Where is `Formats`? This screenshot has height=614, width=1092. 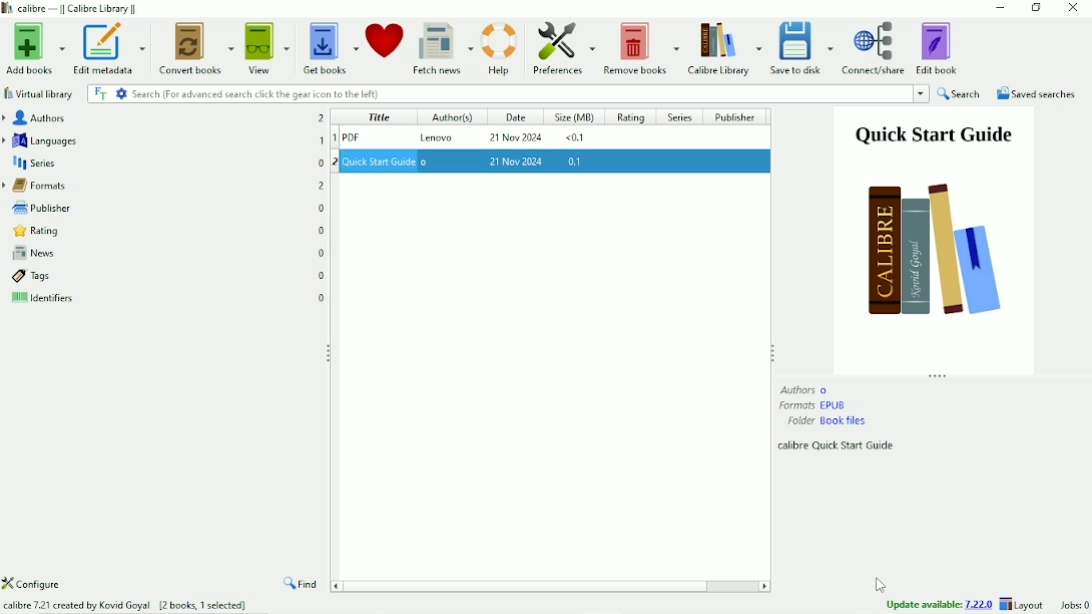
Formats is located at coordinates (164, 184).